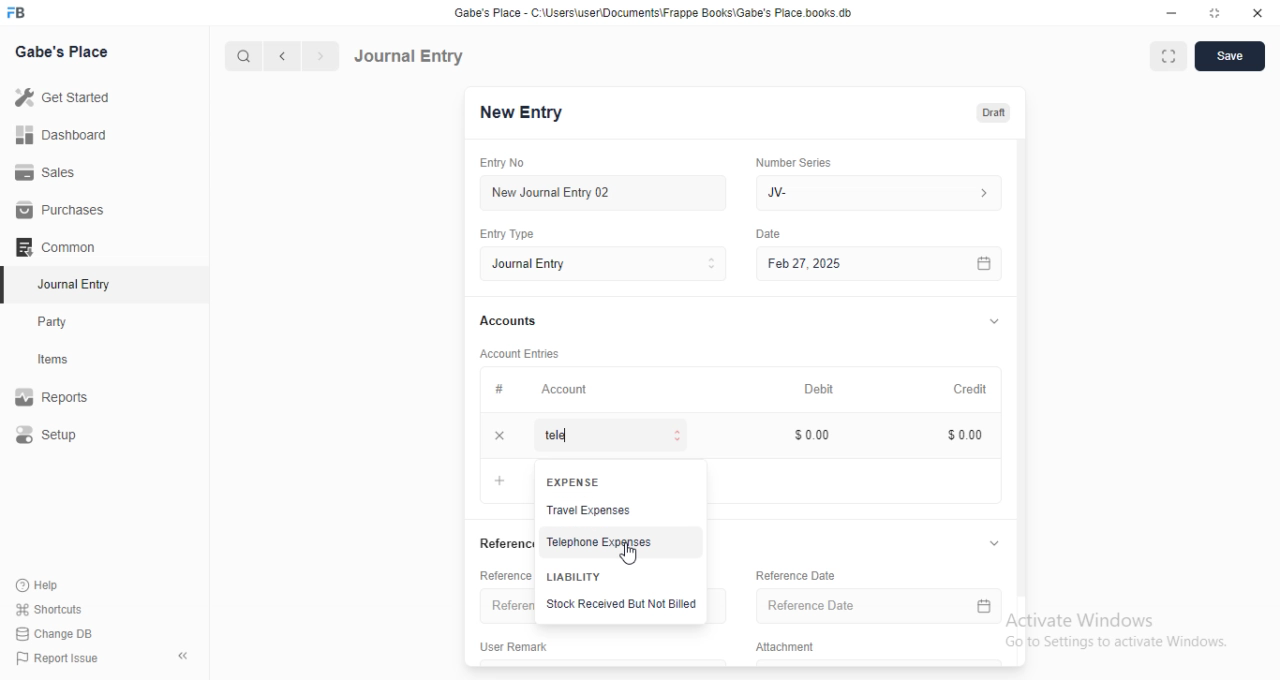 The image size is (1280, 680). What do you see at coordinates (1171, 56) in the screenshot?
I see `Full width toggle` at bounding box center [1171, 56].